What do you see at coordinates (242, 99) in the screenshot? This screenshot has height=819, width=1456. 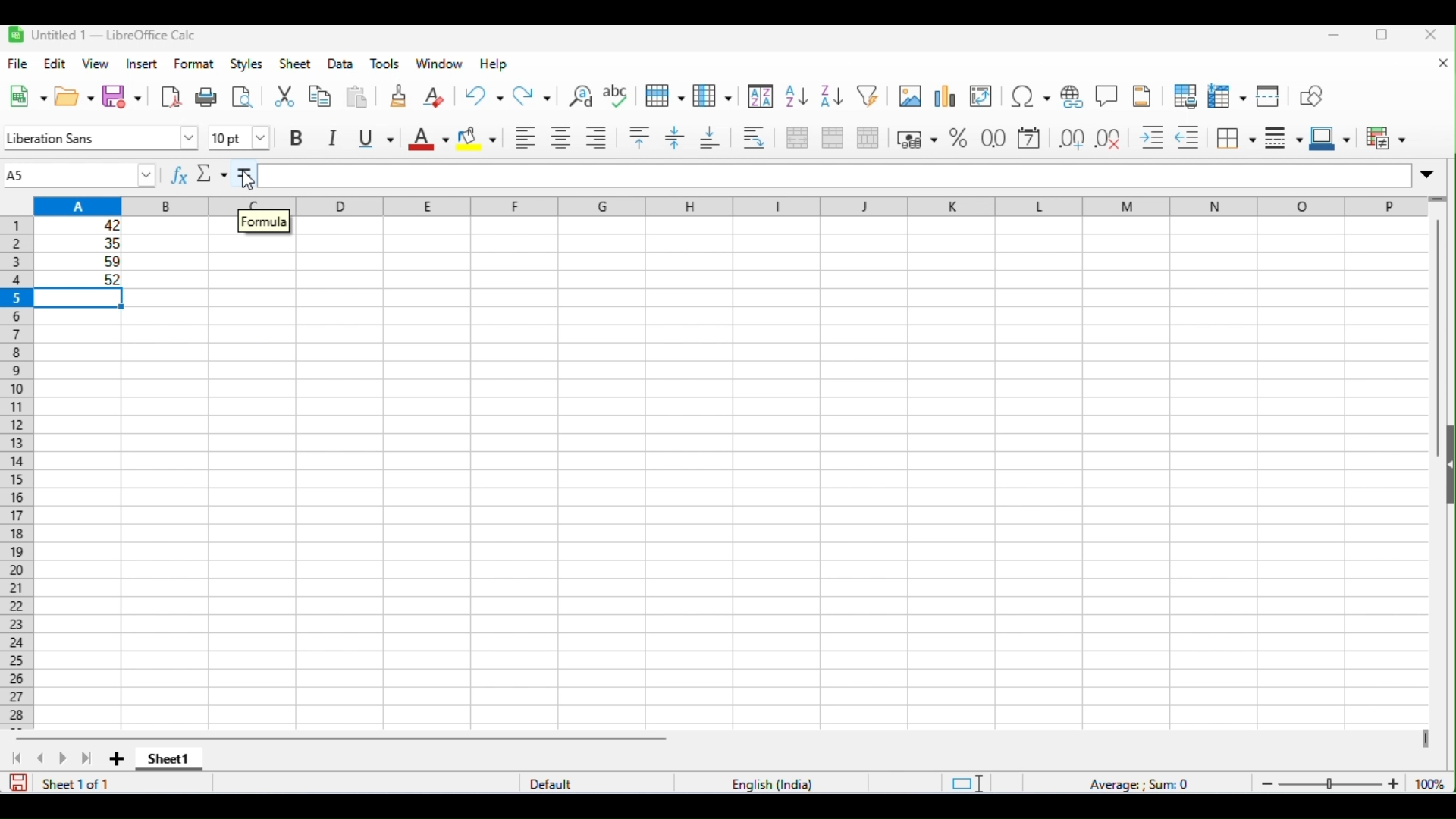 I see `toggle print preview` at bounding box center [242, 99].